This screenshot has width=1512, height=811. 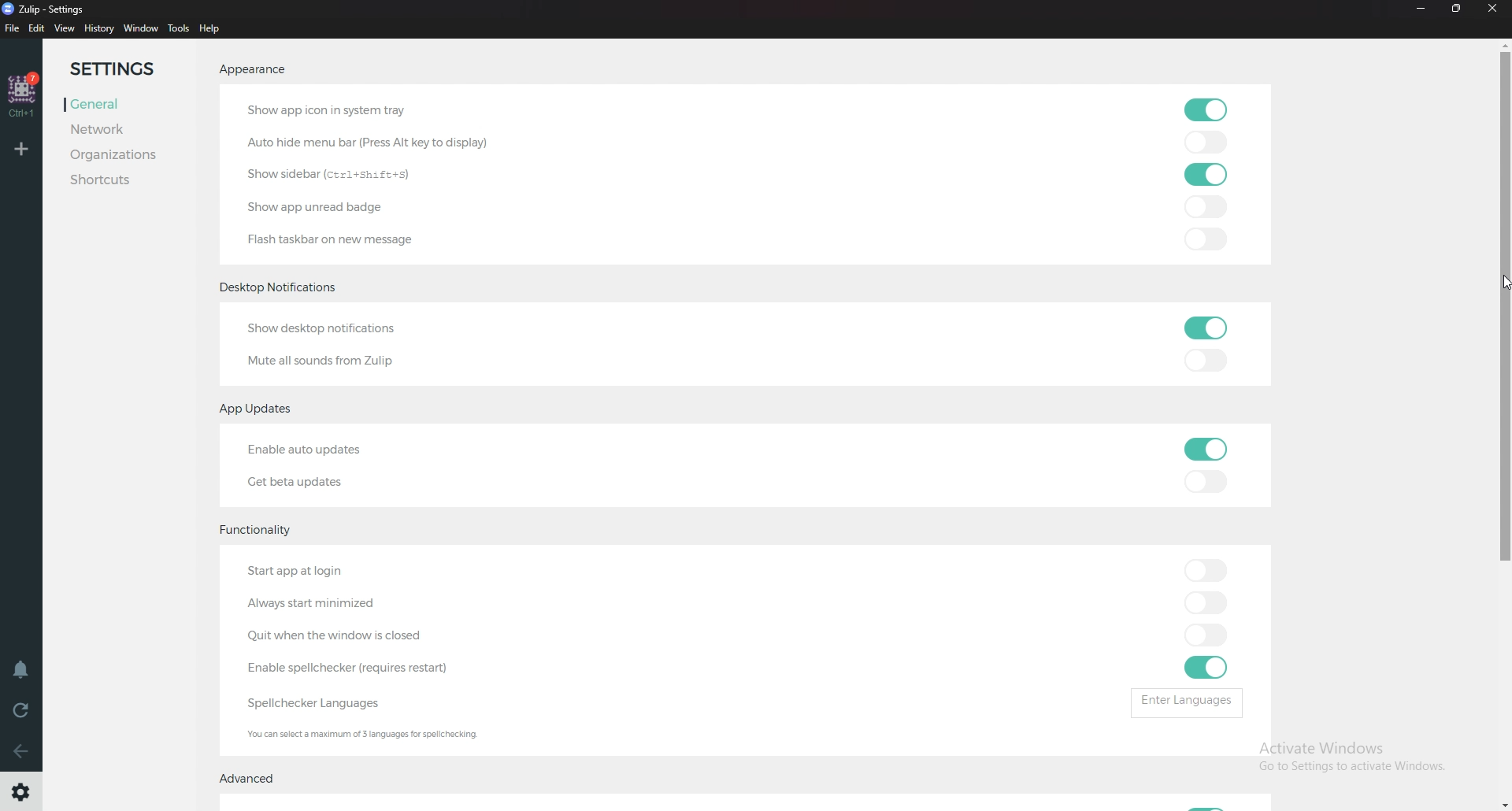 What do you see at coordinates (22, 754) in the screenshot?
I see `Back` at bounding box center [22, 754].